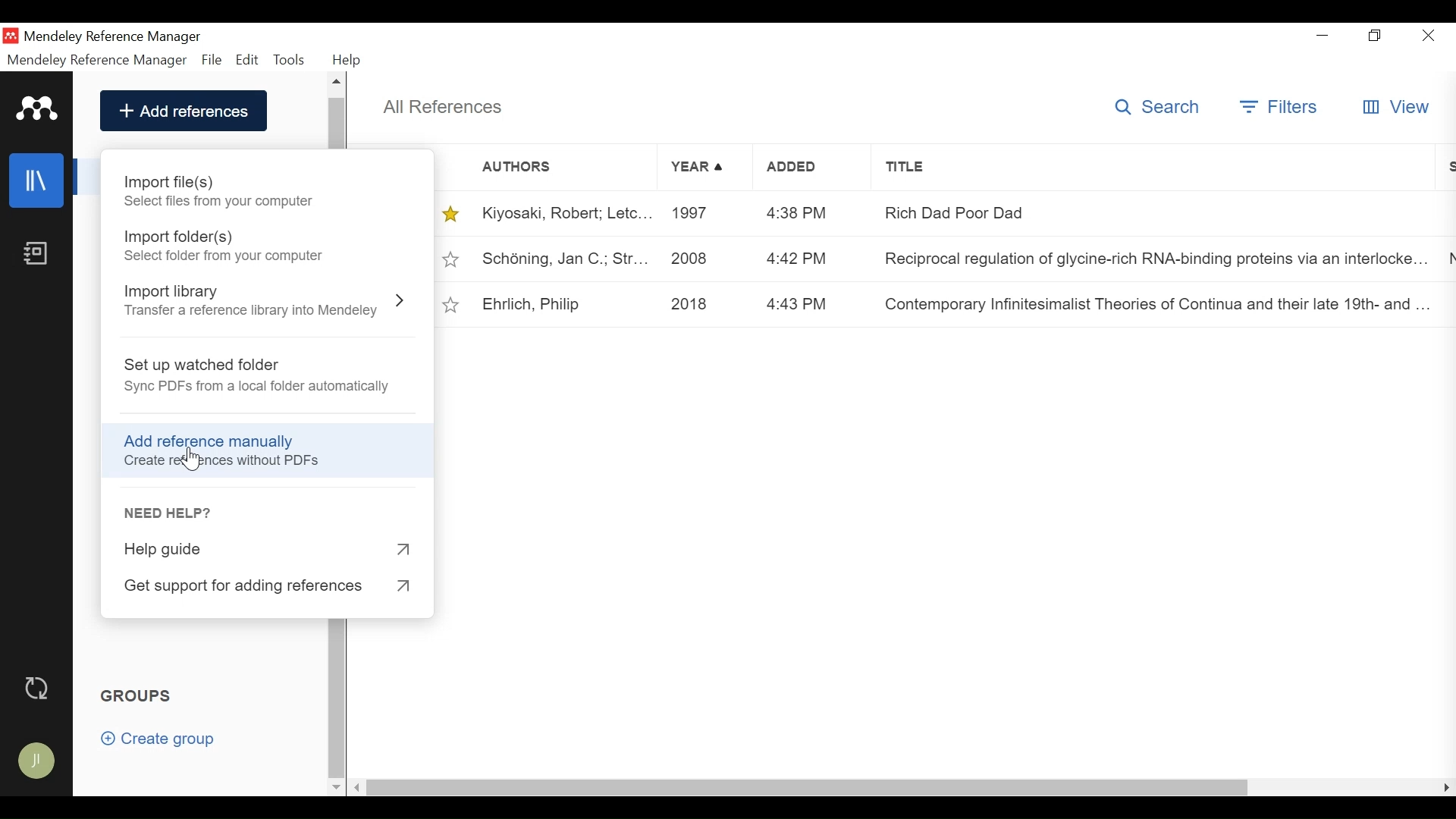 The image size is (1456, 819). What do you see at coordinates (158, 739) in the screenshot?
I see `Create group` at bounding box center [158, 739].